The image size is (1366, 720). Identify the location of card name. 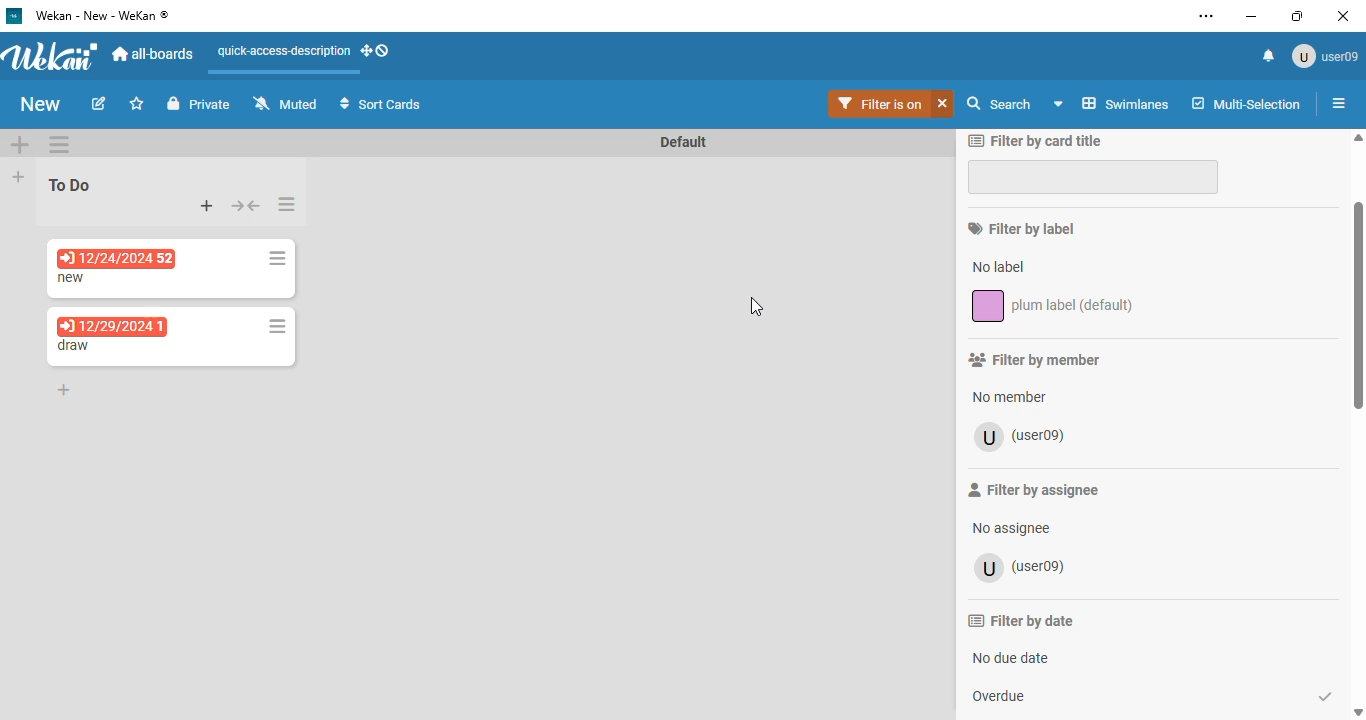
(73, 278).